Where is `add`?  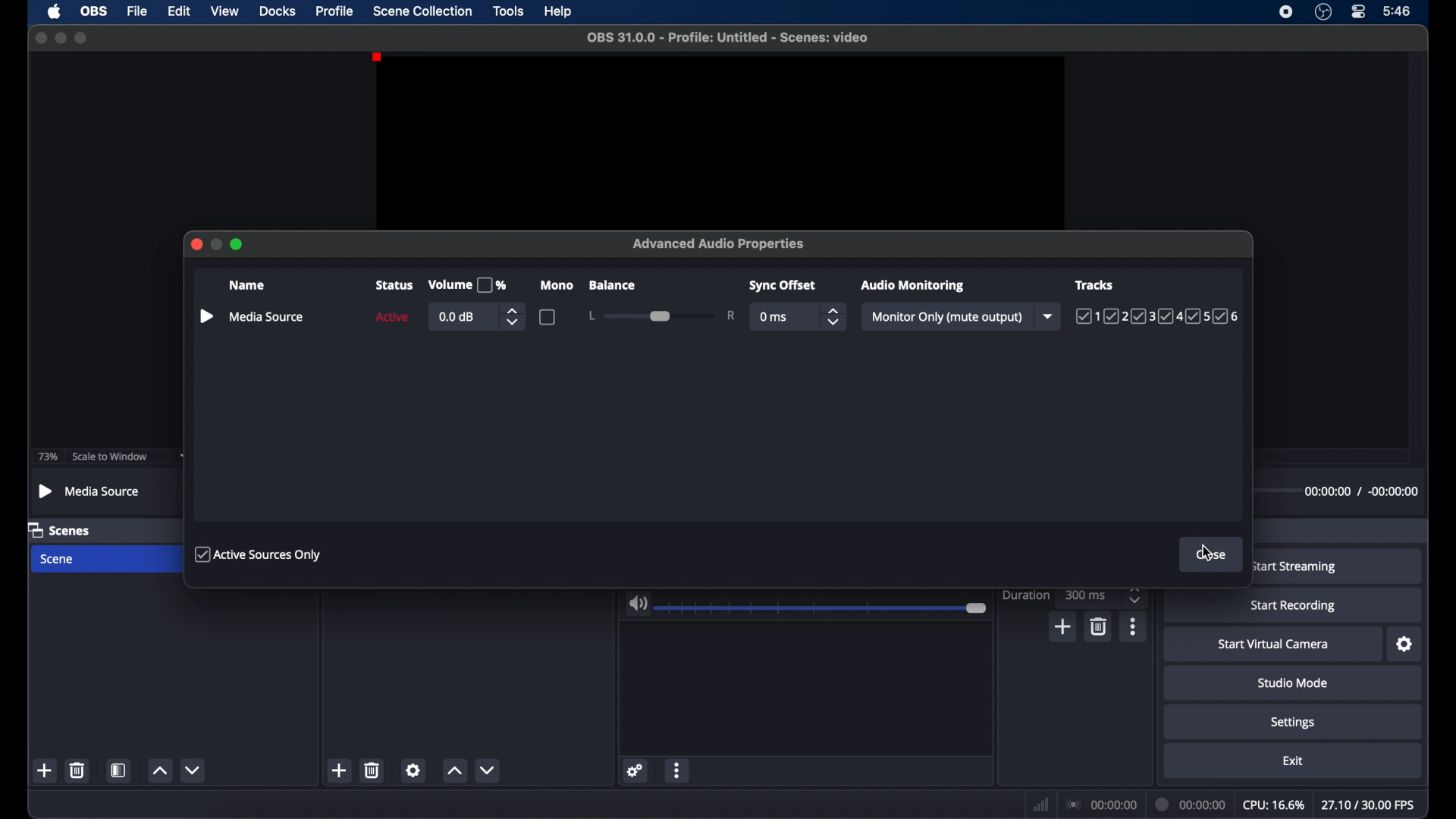
add is located at coordinates (45, 771).